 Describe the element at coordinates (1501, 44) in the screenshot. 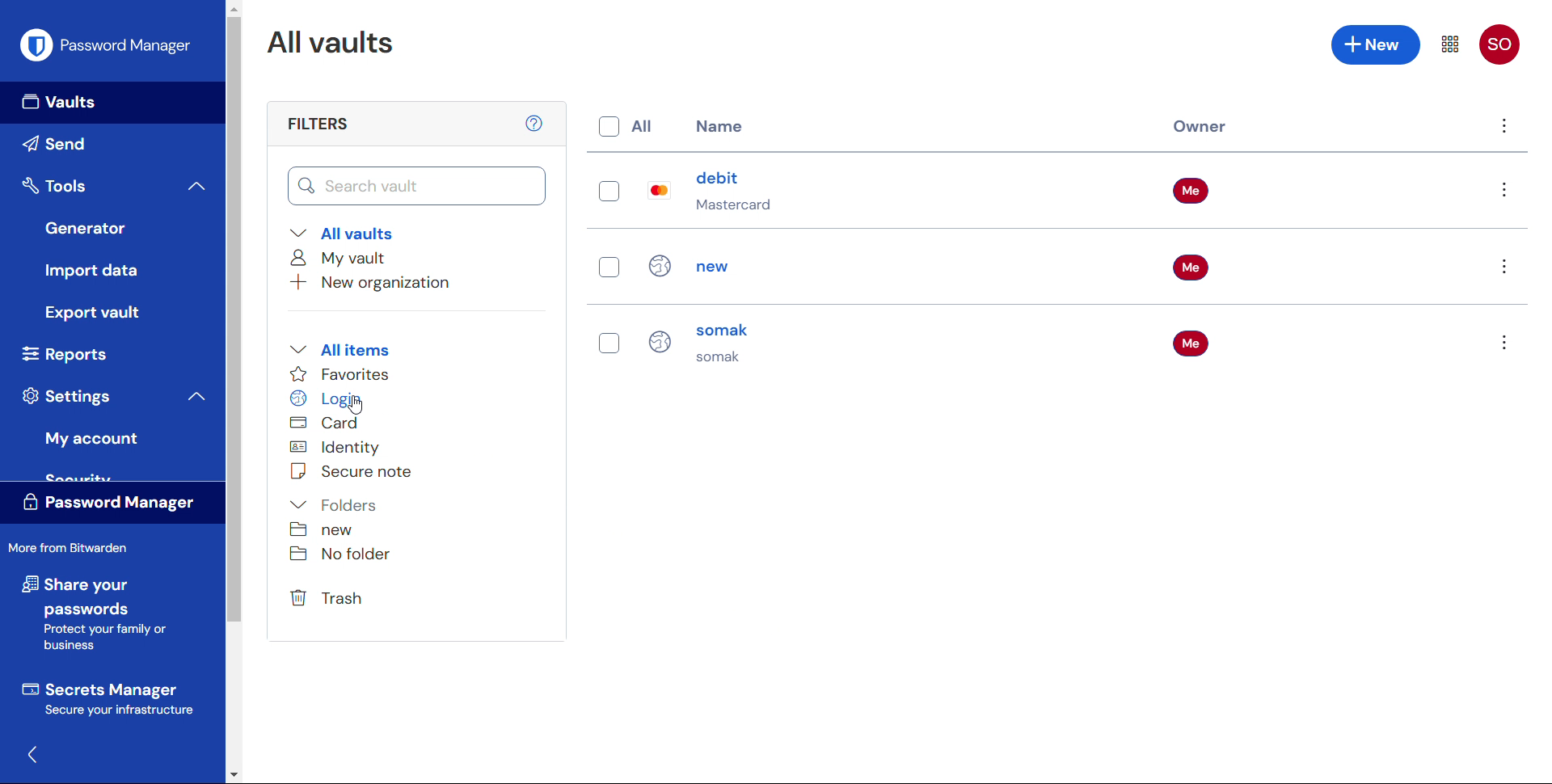

I see `SO` at that location.